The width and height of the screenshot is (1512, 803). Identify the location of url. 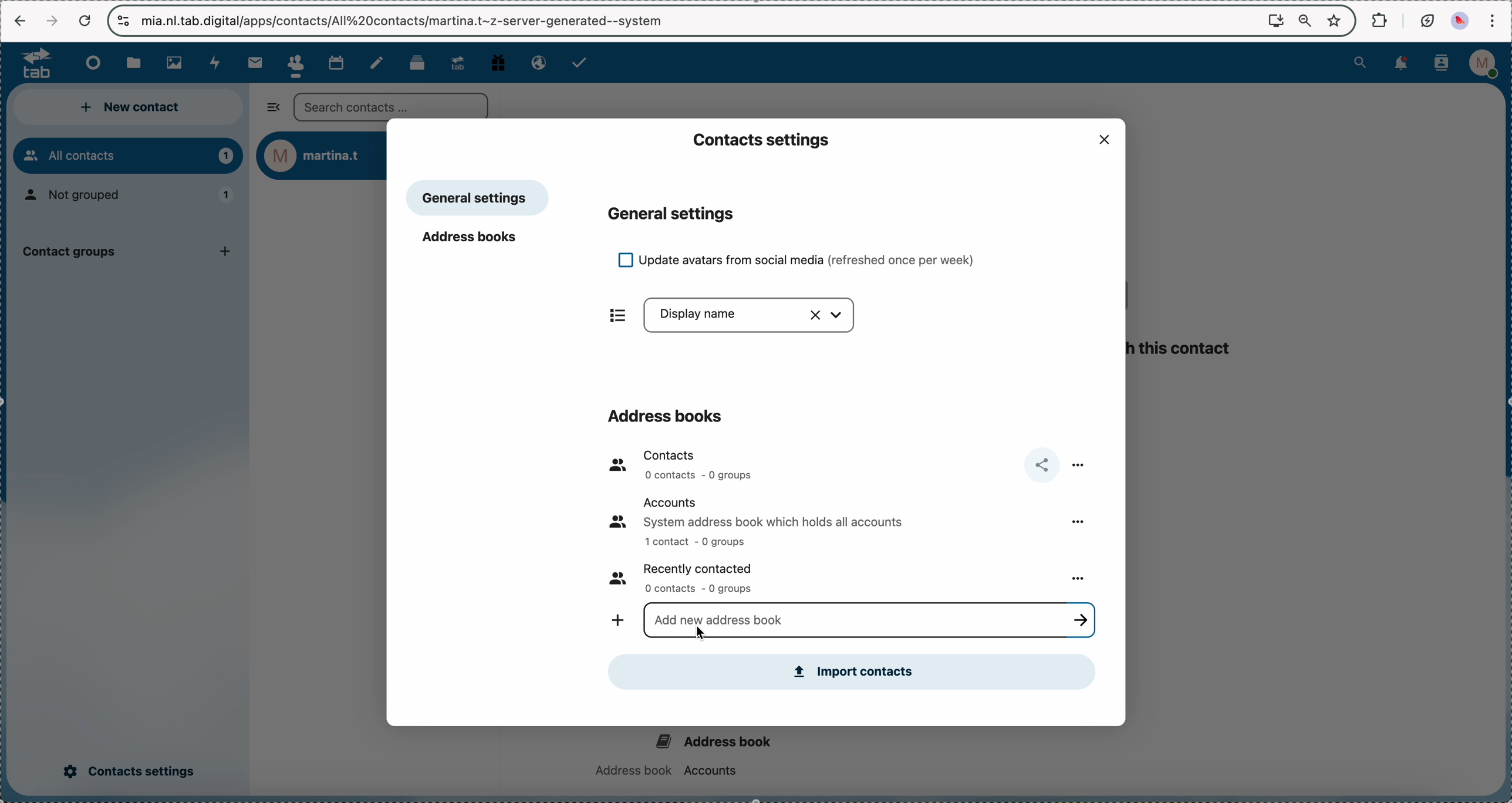
(247, 22).